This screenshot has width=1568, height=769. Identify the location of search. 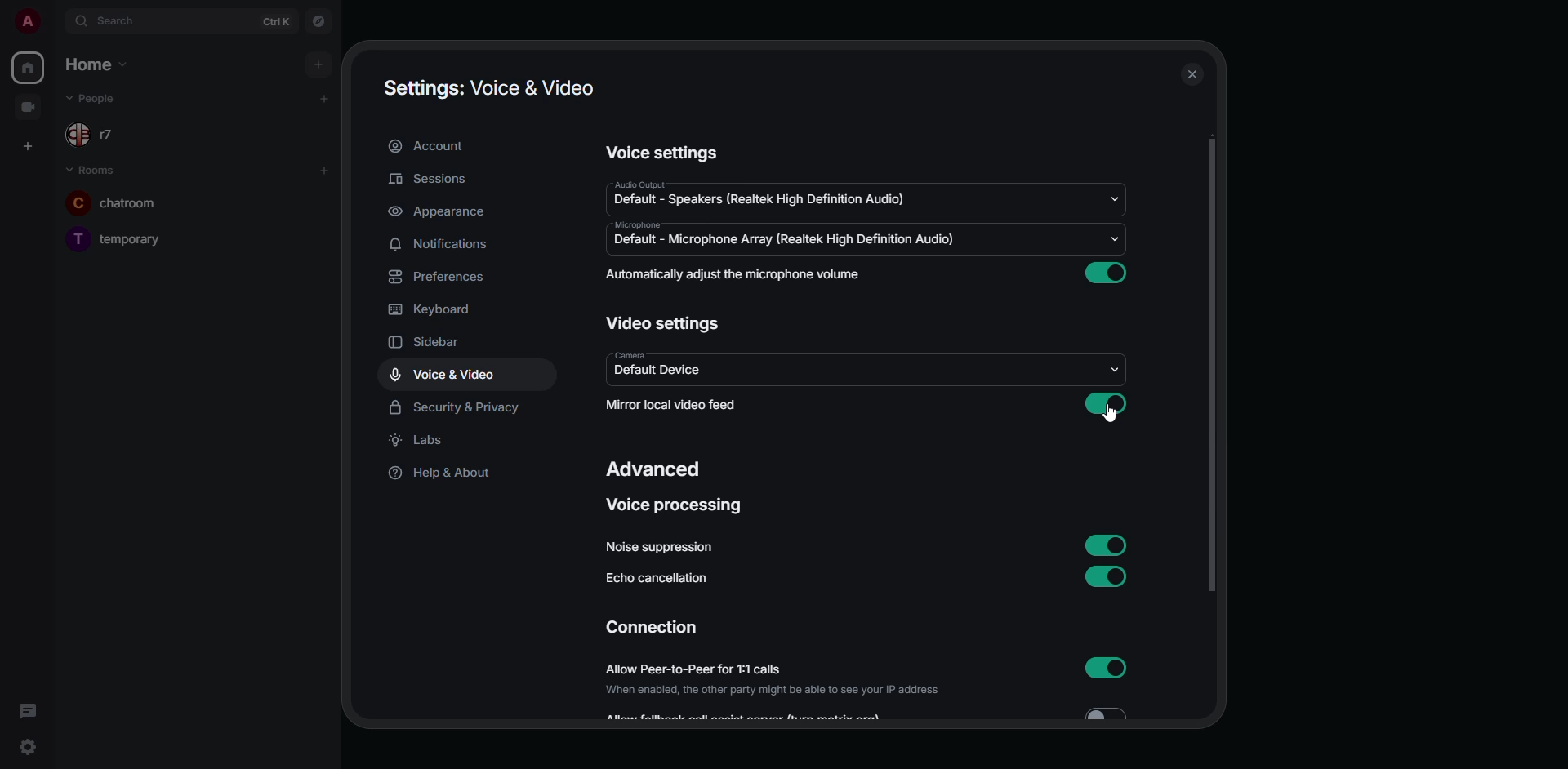
(109, 21).